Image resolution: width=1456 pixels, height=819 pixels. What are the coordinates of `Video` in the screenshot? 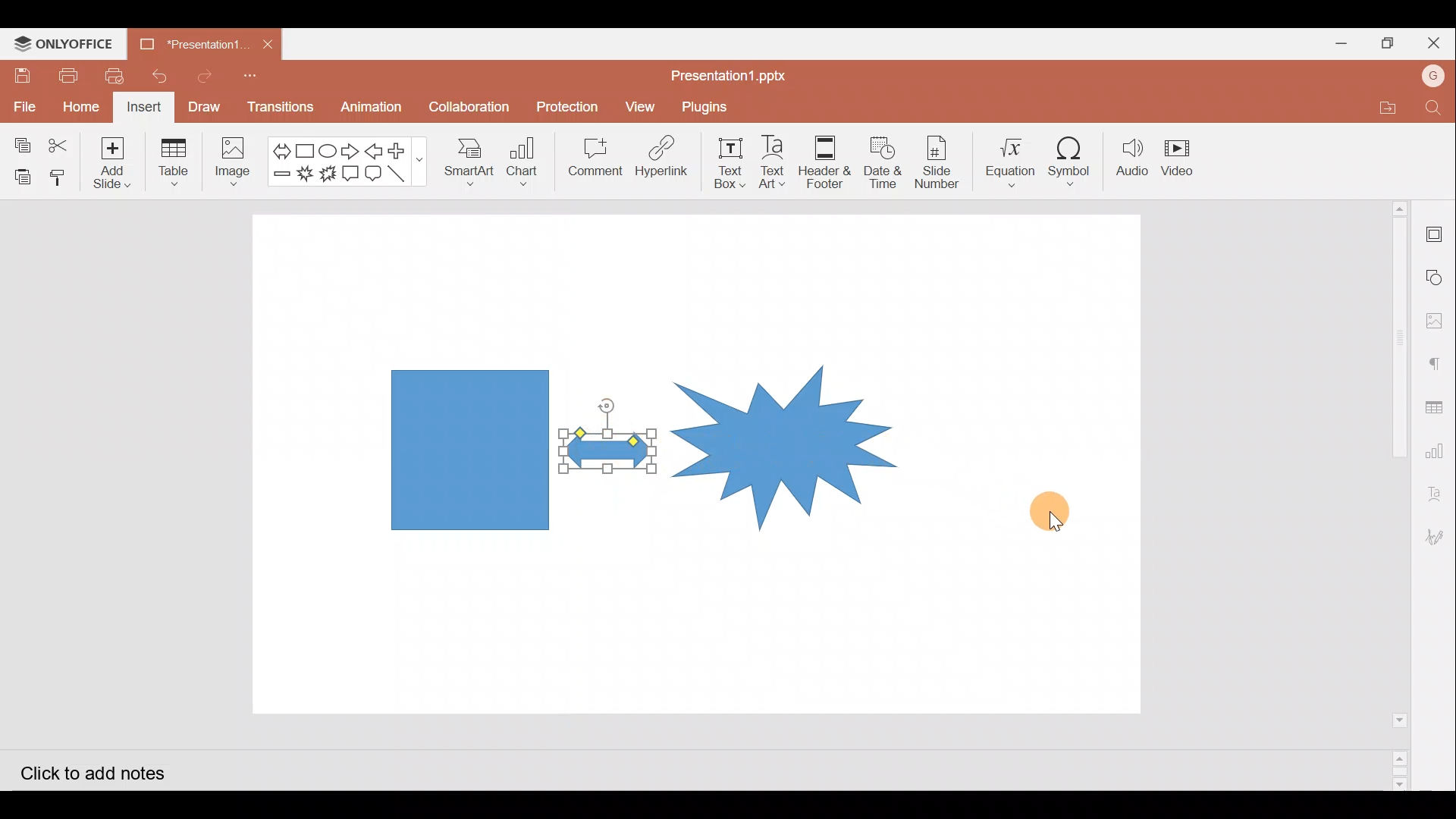 It's located at (1187, 159).